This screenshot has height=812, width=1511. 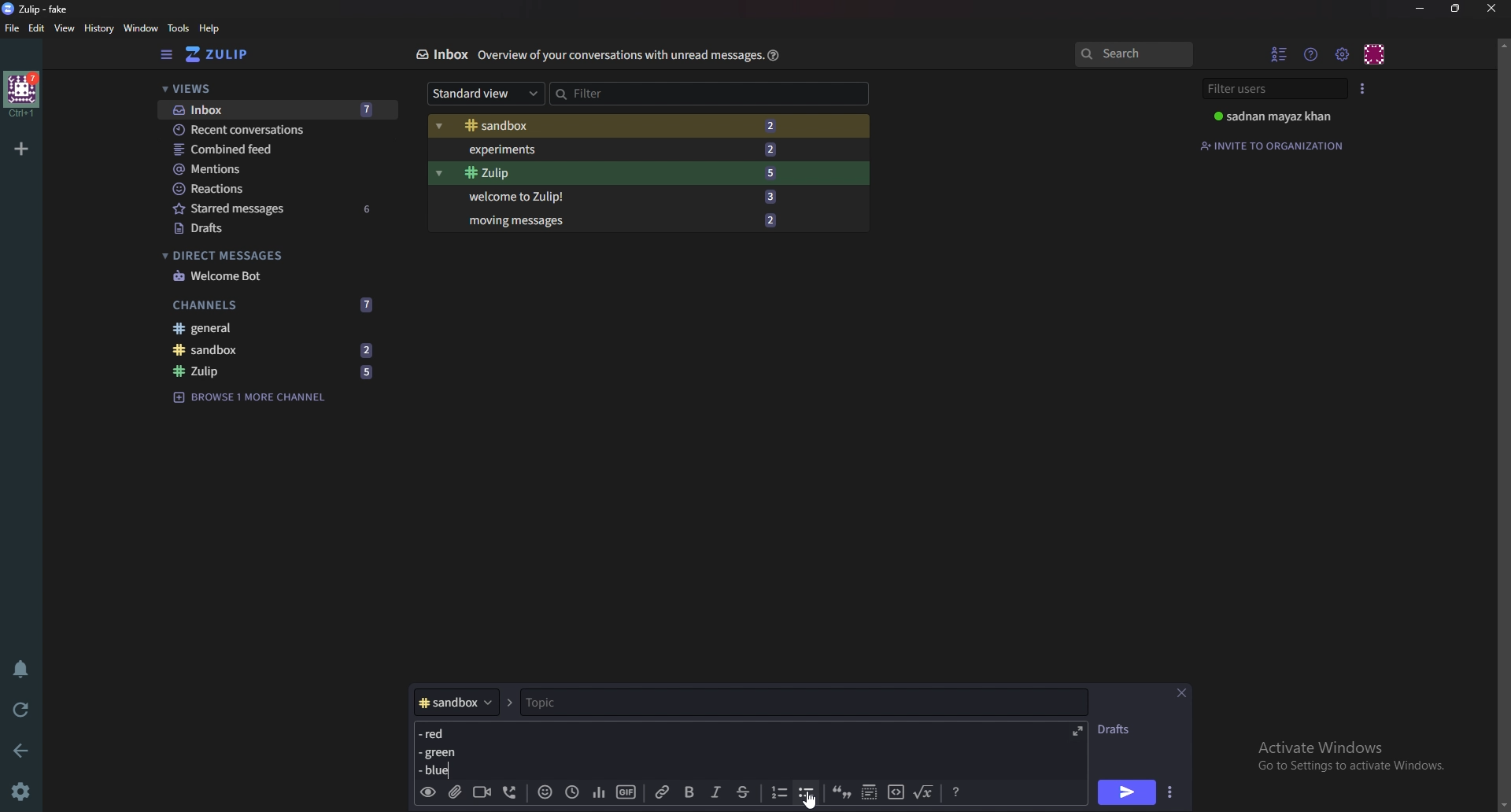 What do you see at coordinates (1281, 116) in the screenshot?
I see `User` at bounding box center [1281, 116].